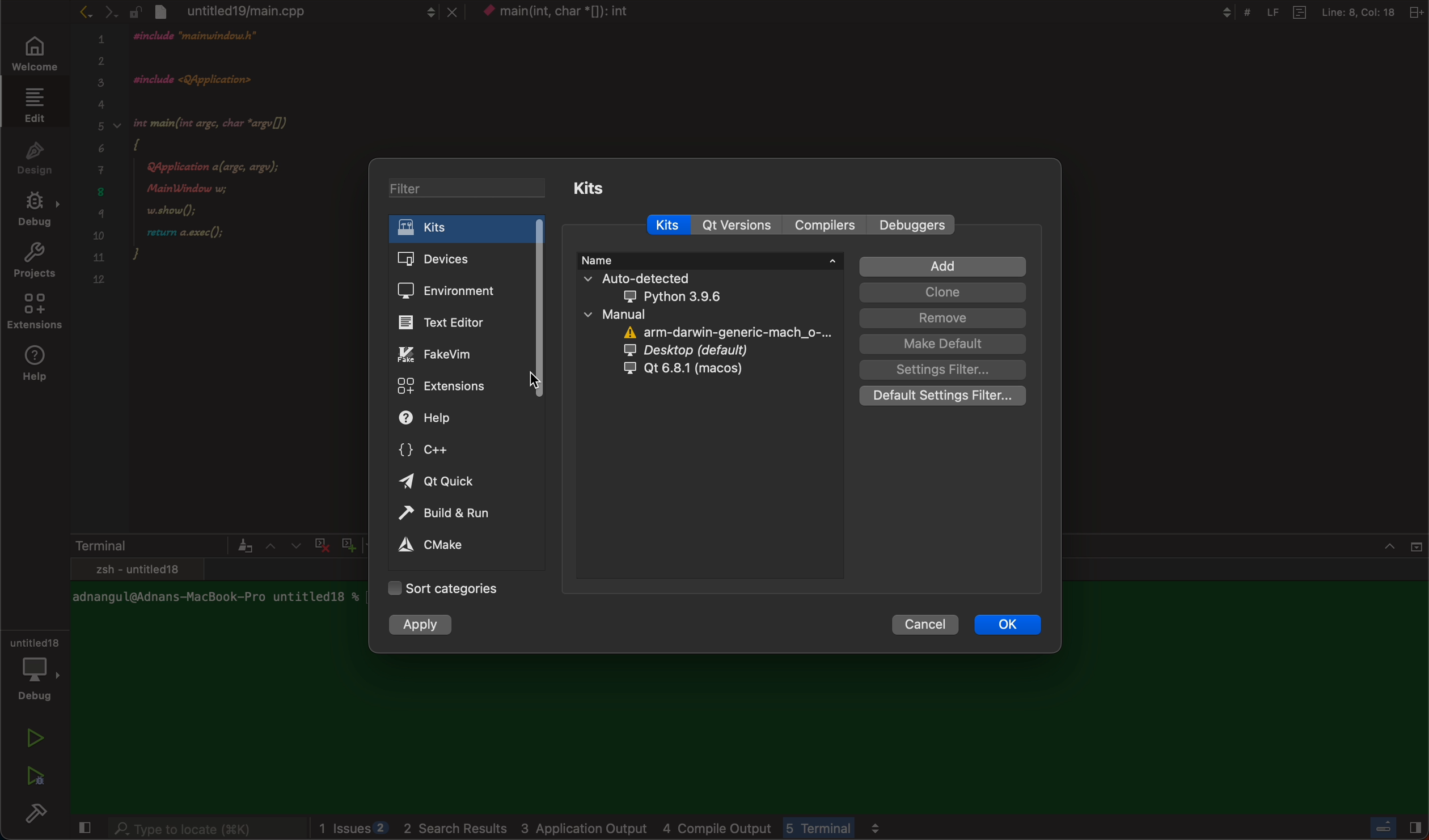 Image resolution: width=1429 pixels, height=840 pixels. Describe the element at coordinates (467, 256) in the screenshot. I see `devices` at that location.